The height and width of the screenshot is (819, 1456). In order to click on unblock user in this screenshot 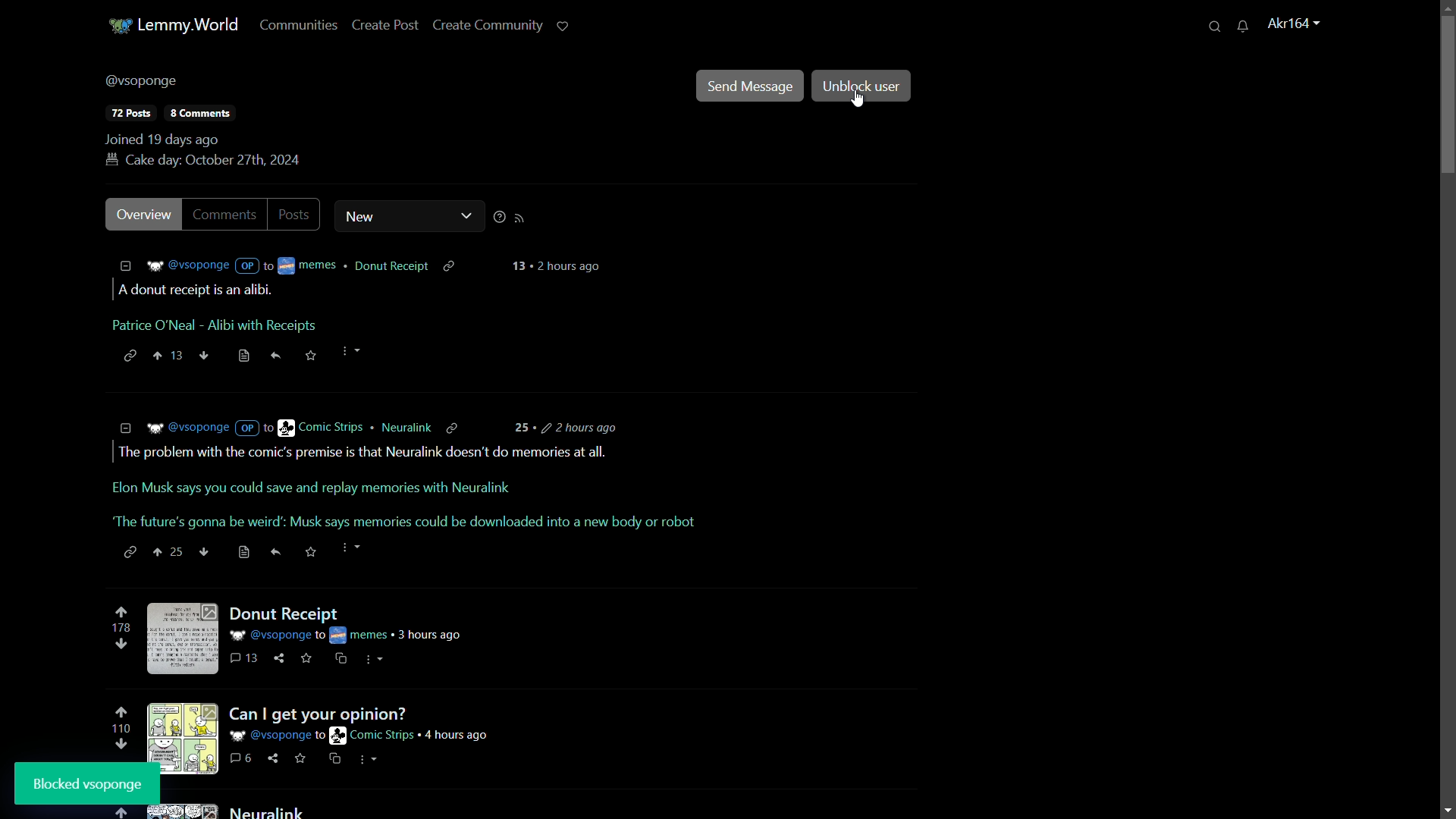, I will do `click(861, 86)`.